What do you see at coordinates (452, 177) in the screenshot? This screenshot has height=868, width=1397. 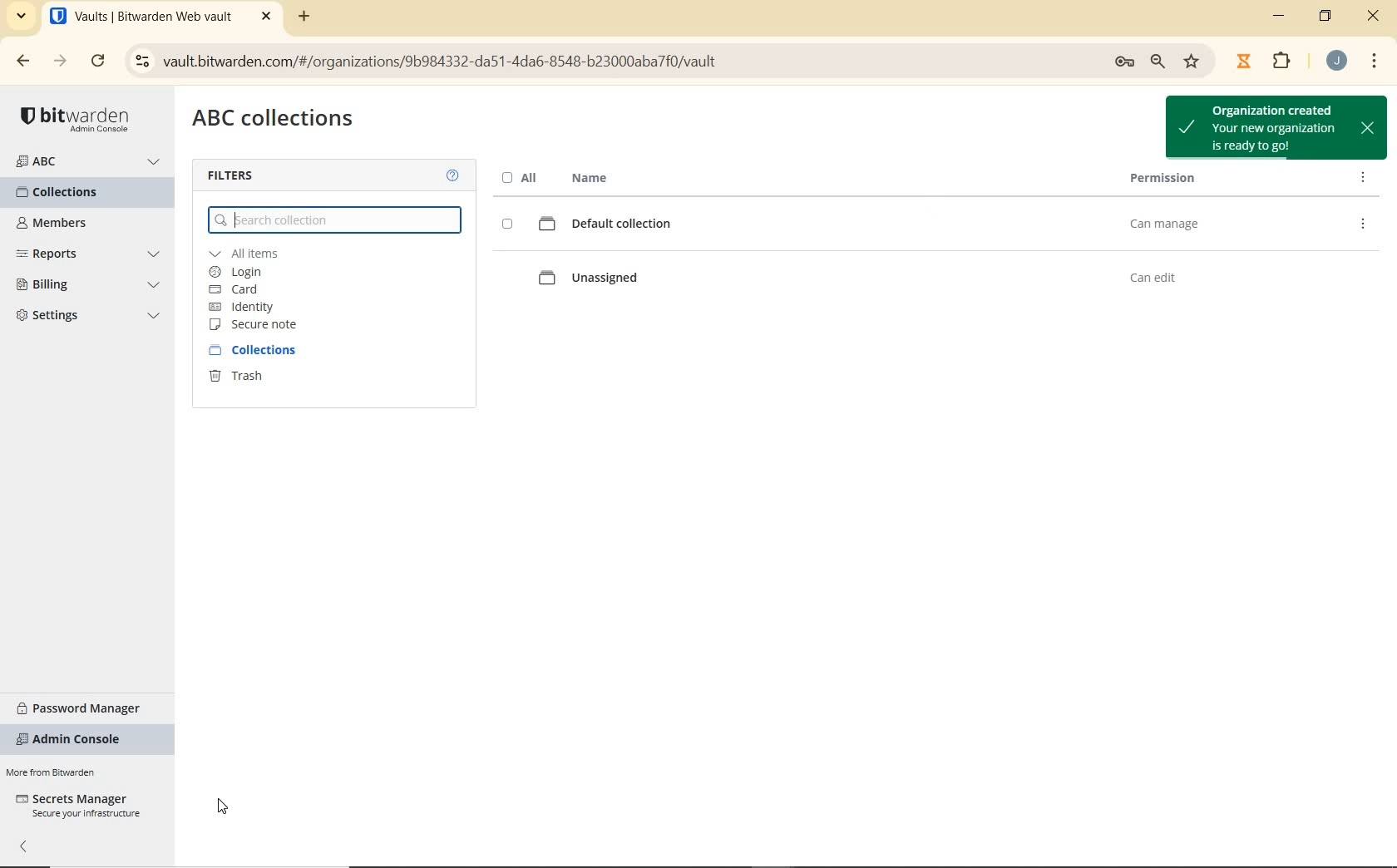 I see `help about the vault` at bounding box center [452, 177].